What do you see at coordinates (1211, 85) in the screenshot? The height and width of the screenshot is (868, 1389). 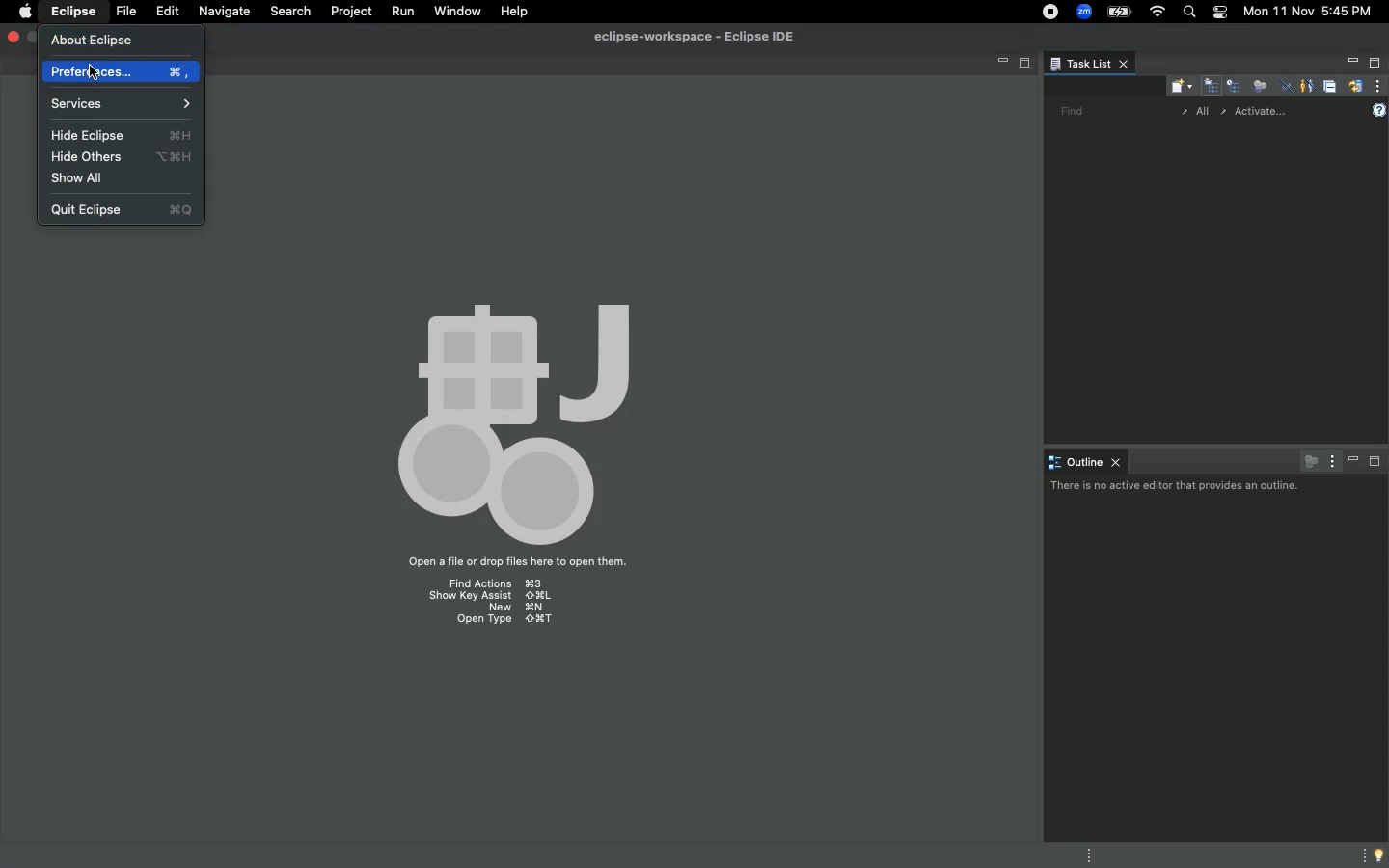 I see `Categorized` at bounding box center [1211, 85].